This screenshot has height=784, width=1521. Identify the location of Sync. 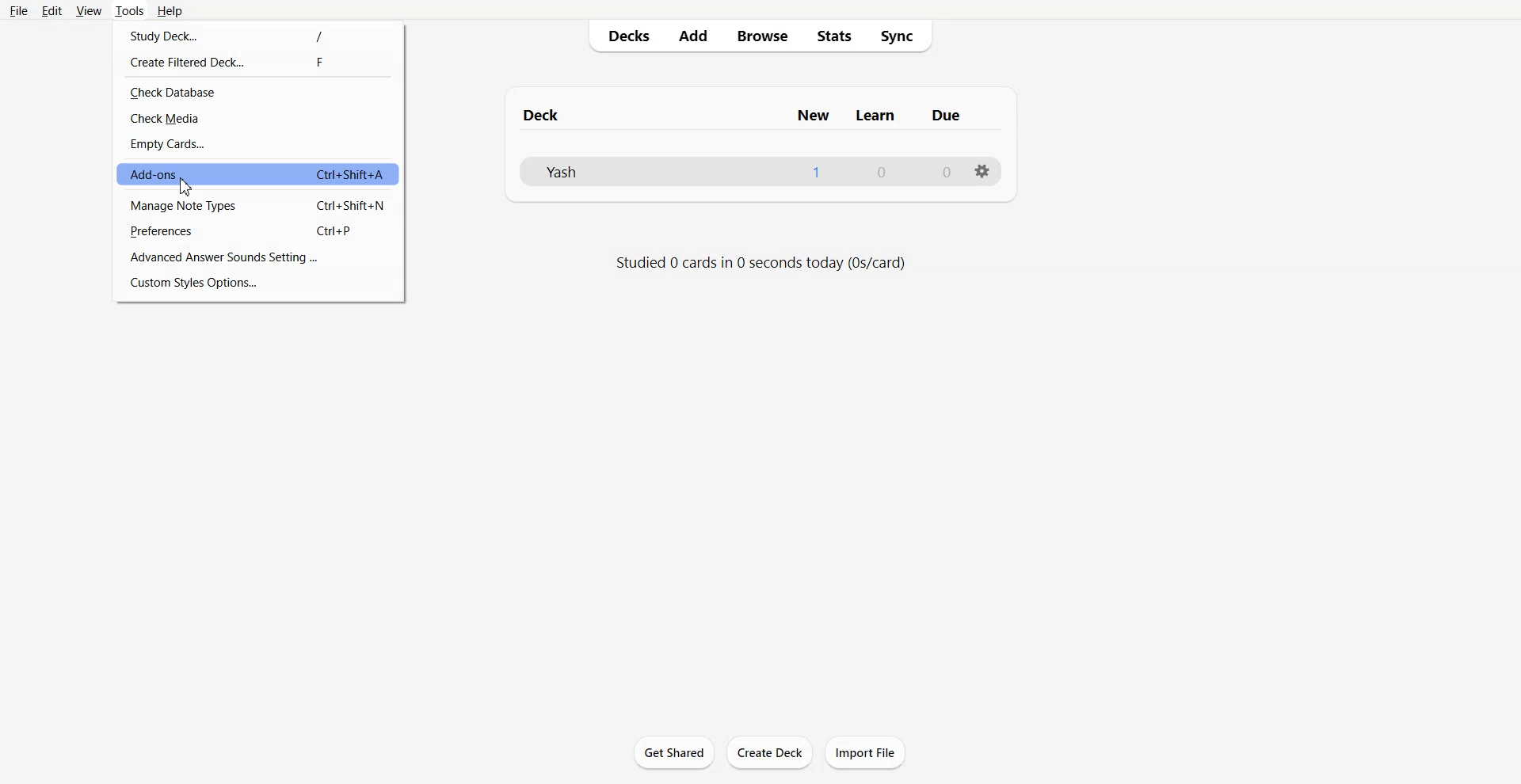
(905, 36).